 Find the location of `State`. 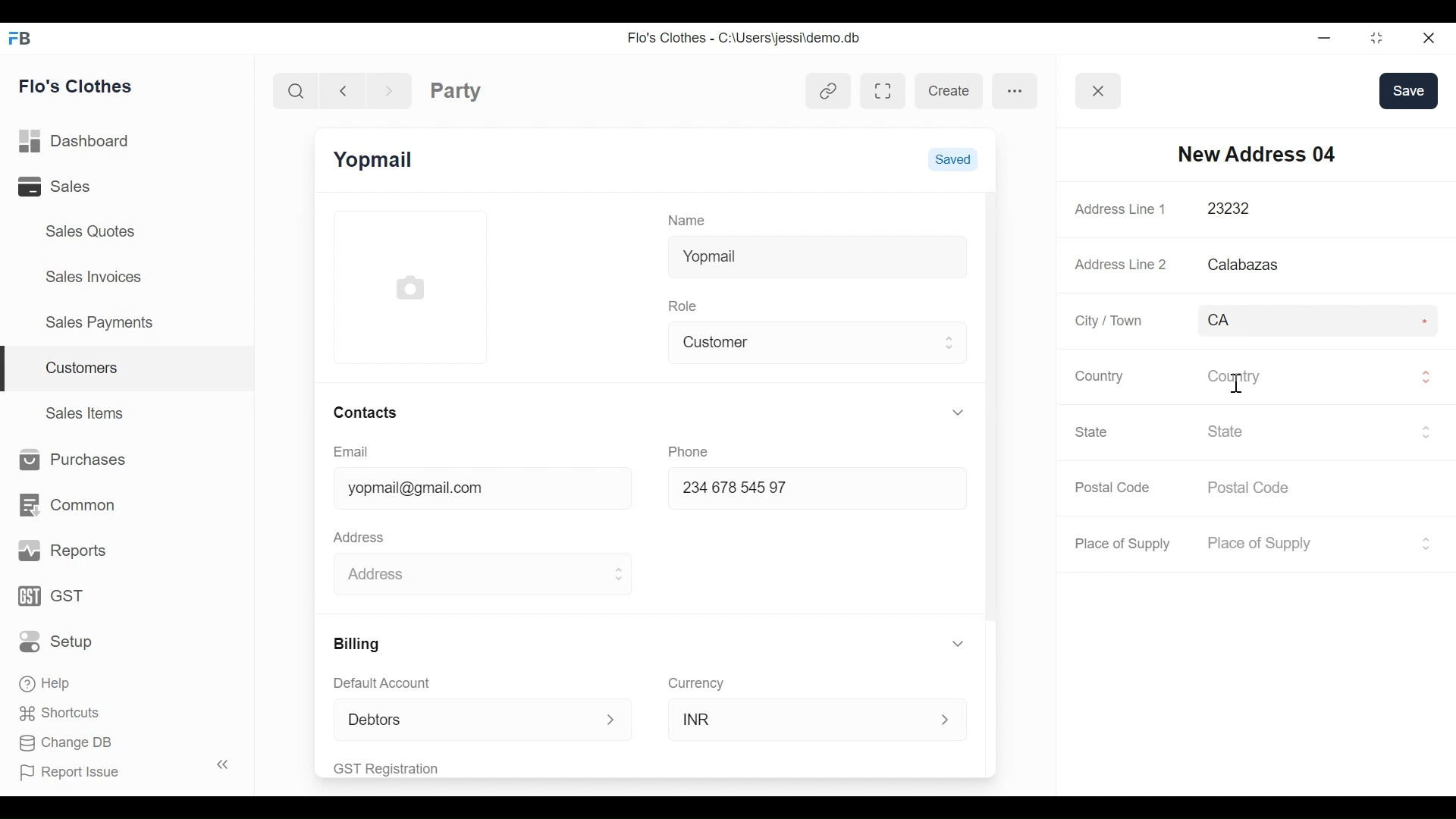

State is located at coordinates (1094, 431).